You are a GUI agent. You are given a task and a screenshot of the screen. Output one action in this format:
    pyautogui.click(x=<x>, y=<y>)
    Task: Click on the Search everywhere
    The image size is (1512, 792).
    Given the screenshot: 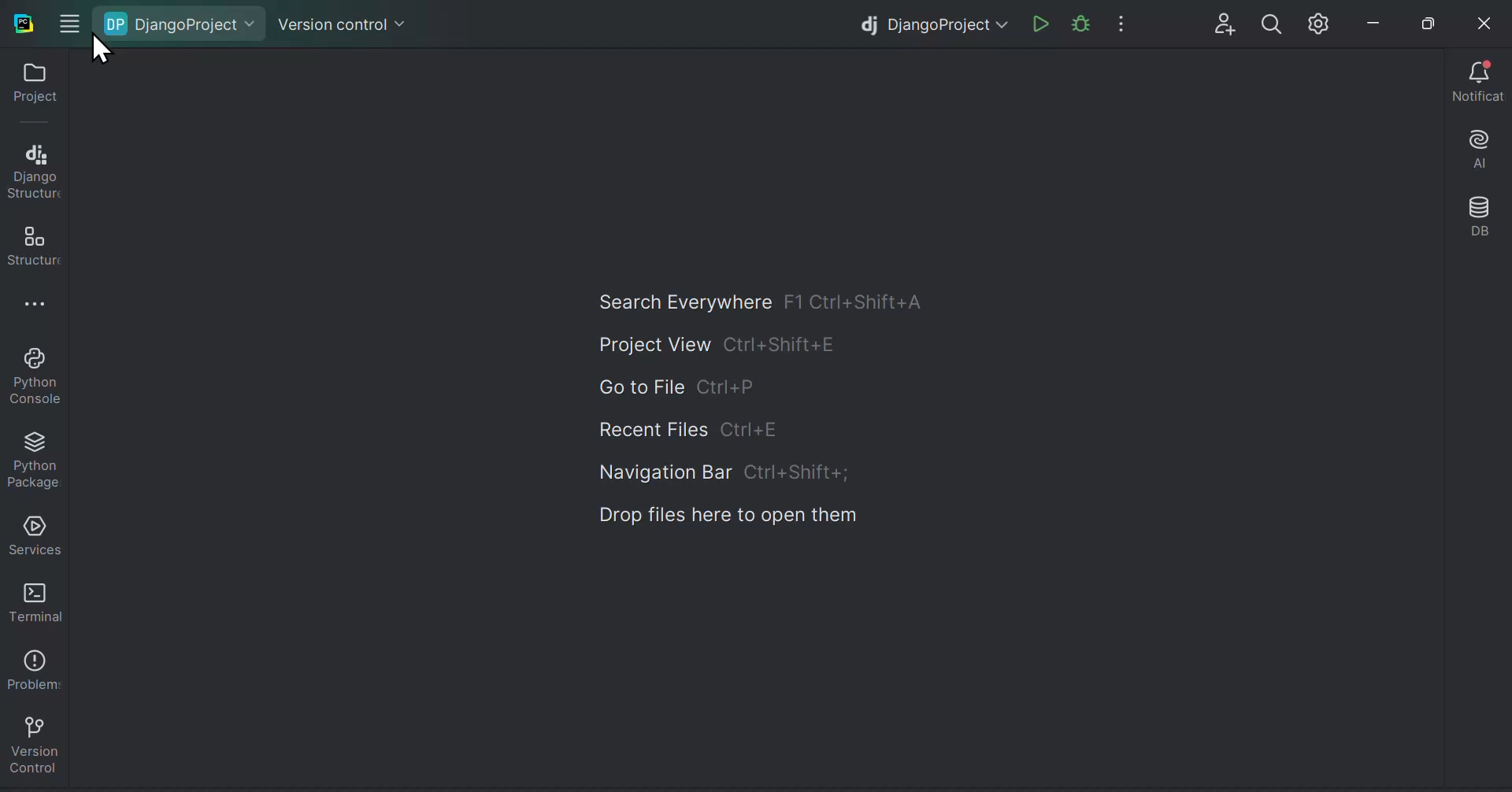 What is the action you would take?
    pyautogui.click(x=767, y=302)
    